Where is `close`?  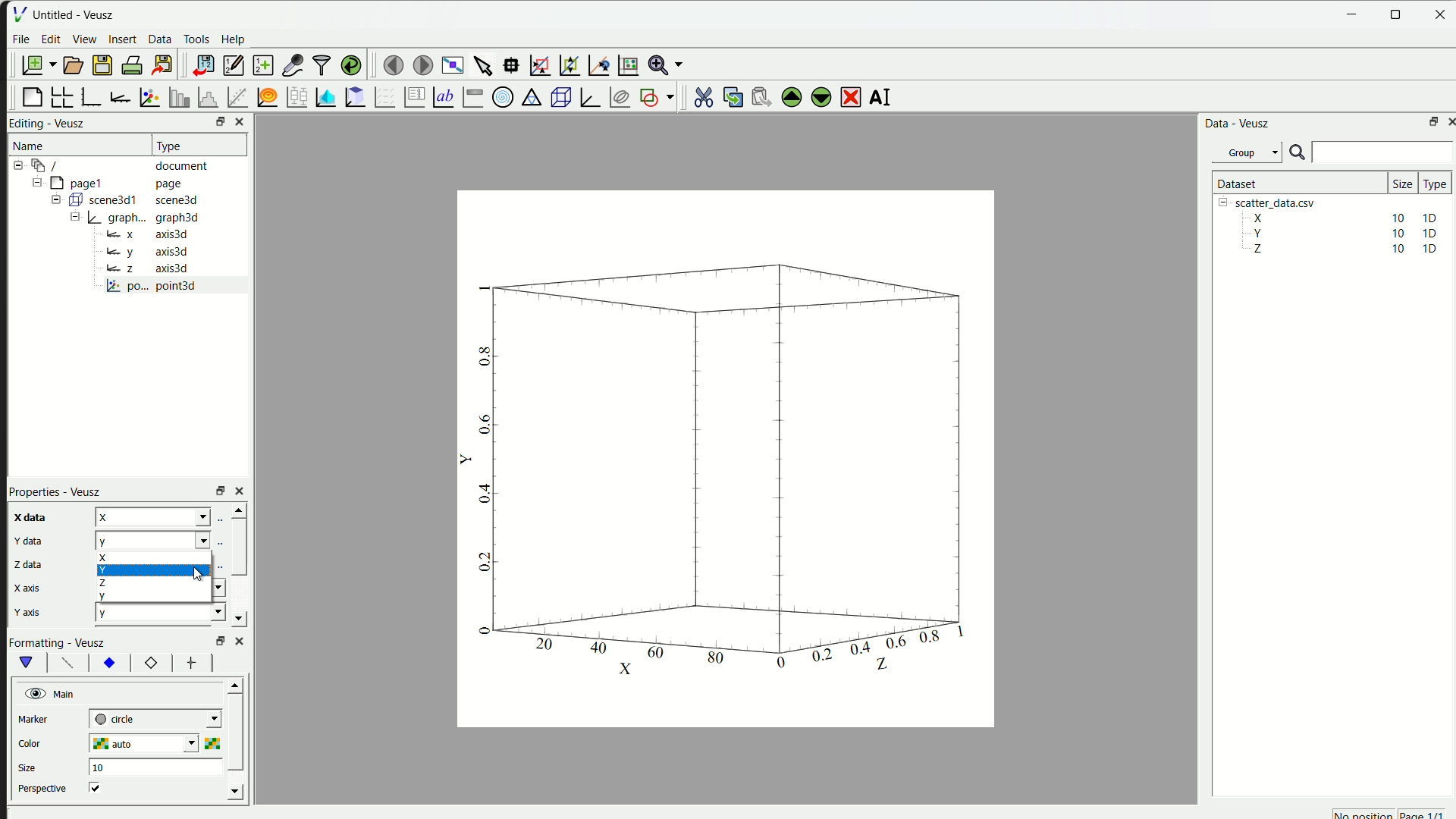
close is located at coordinates (240, 640).